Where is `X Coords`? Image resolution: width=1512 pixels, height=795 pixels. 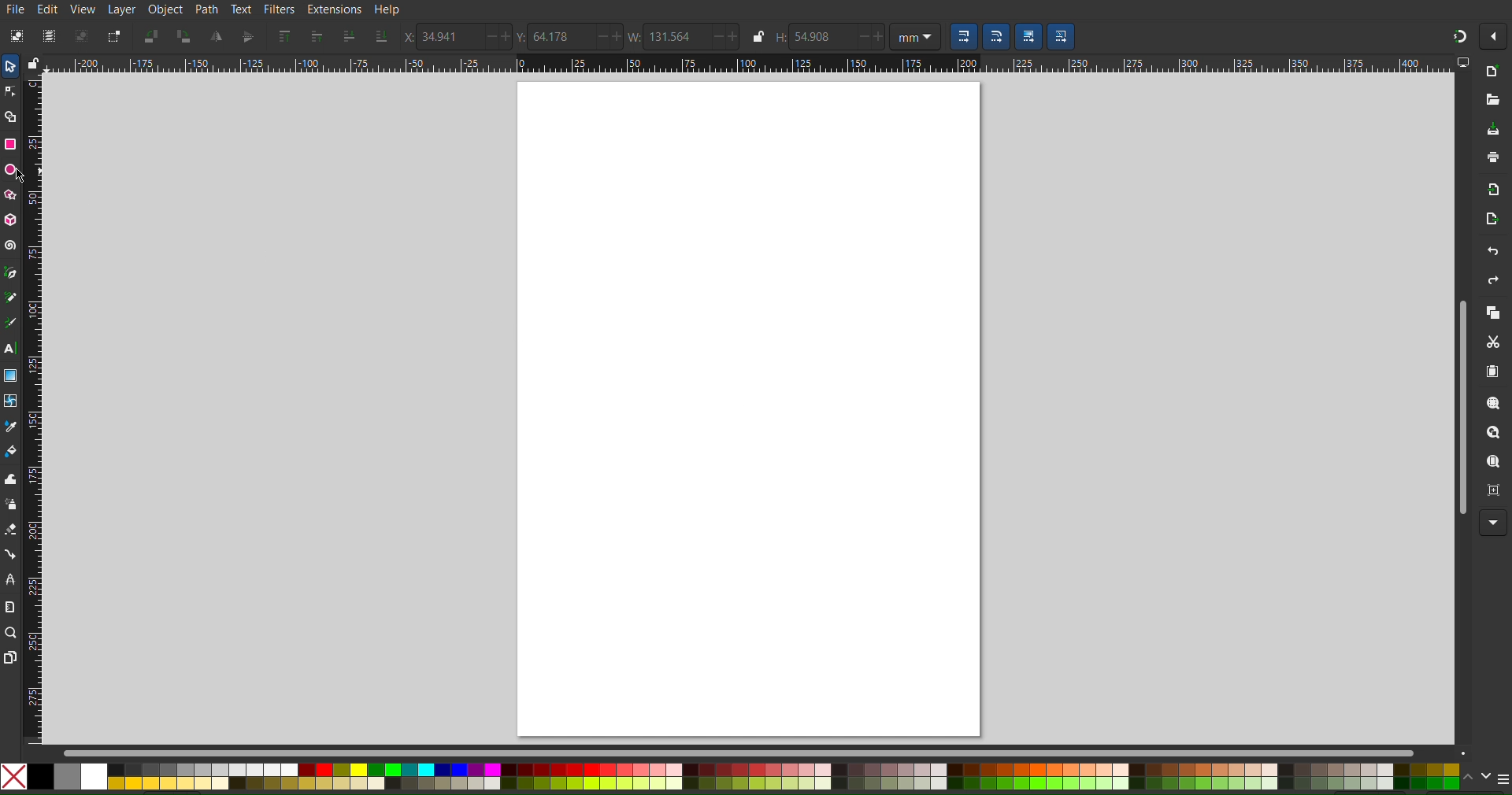
X Coords is located at coordinates (406, 37).